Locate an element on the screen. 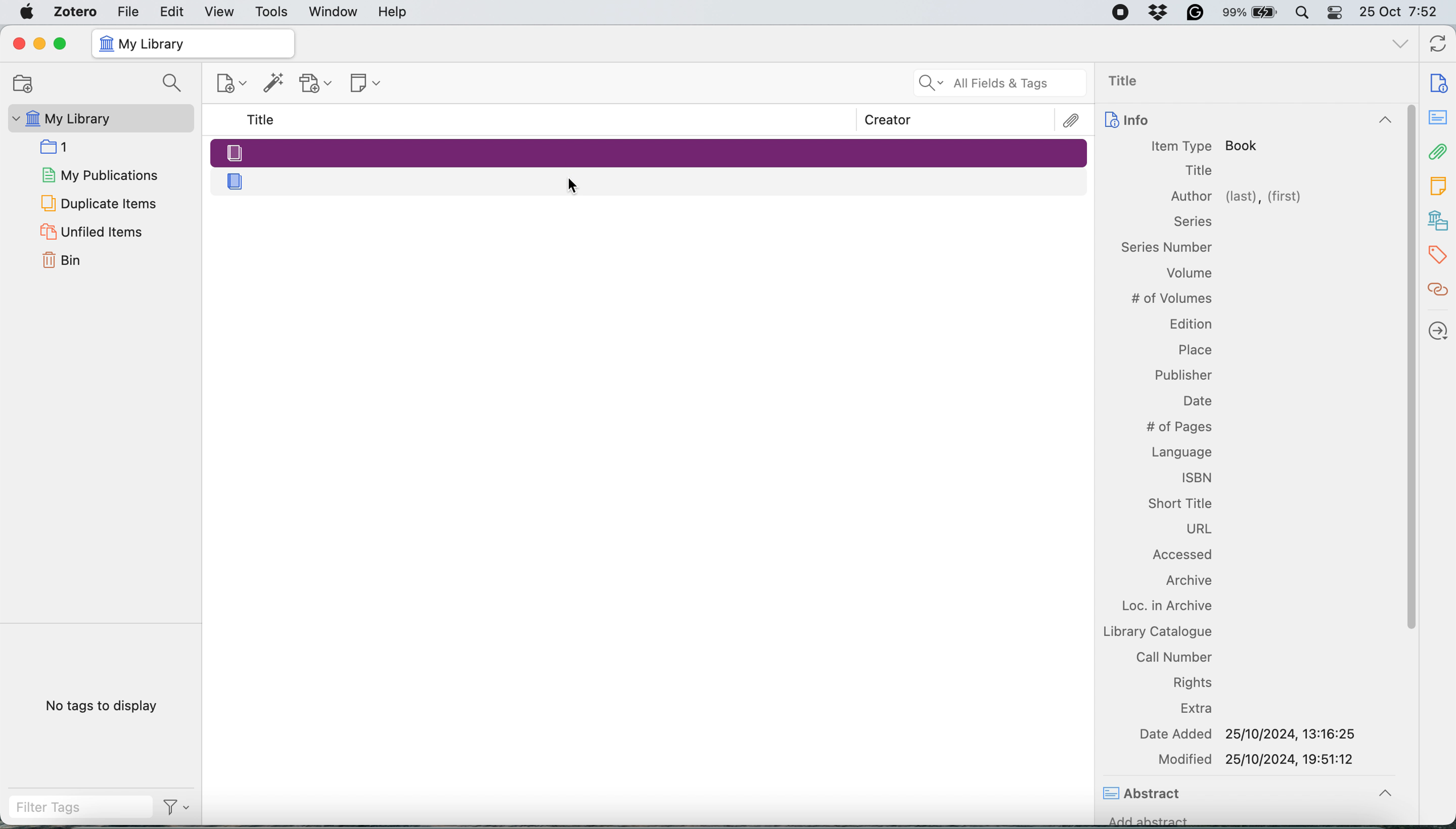  Blank Entry 2 is located at coordinates (651, 180).